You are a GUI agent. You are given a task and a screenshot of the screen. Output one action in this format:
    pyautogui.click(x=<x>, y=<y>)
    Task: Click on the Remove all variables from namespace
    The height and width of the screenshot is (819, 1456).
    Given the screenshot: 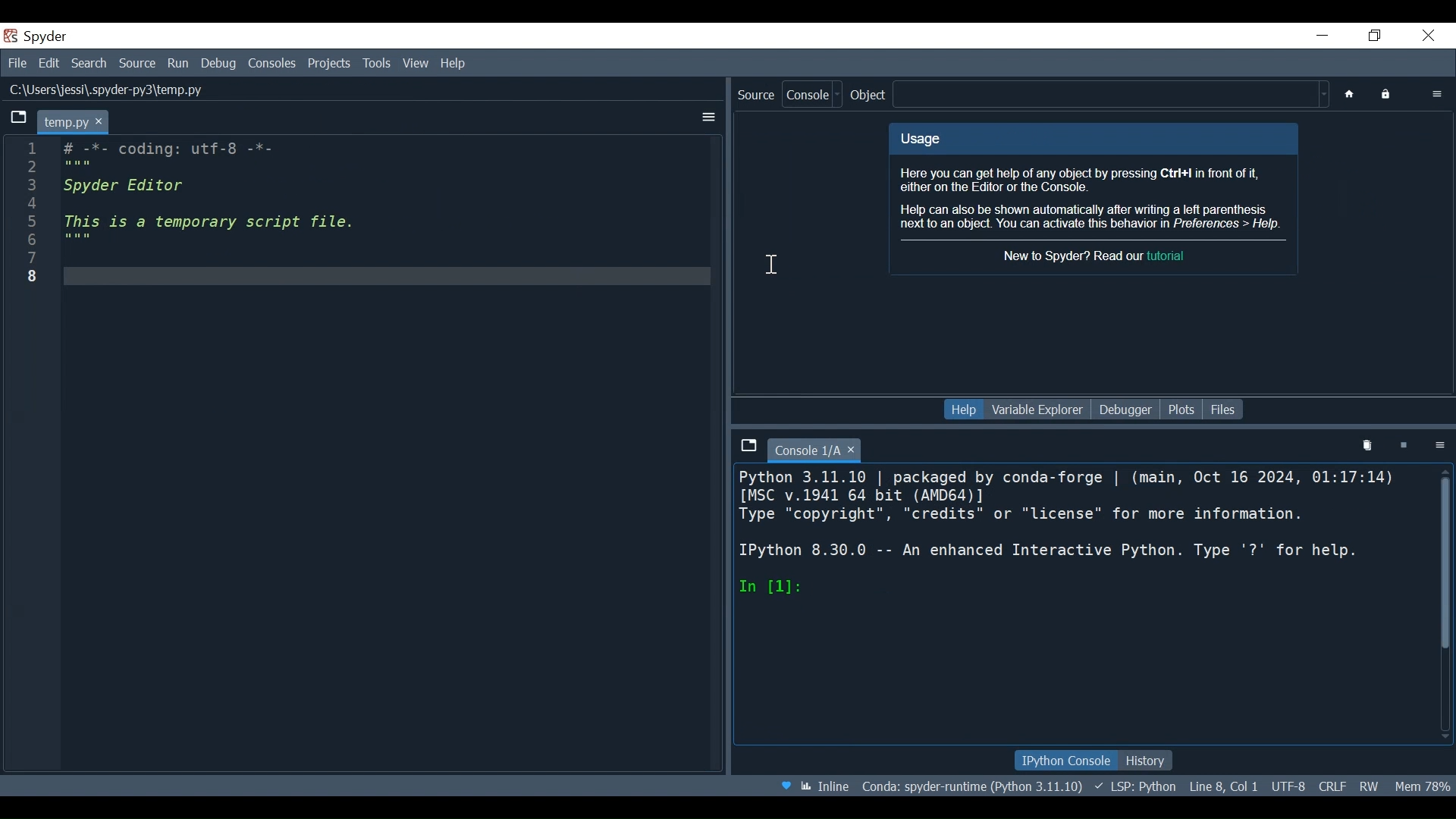 What is the action you would take?
    pyautogui.click(x=1367, y=444)
    